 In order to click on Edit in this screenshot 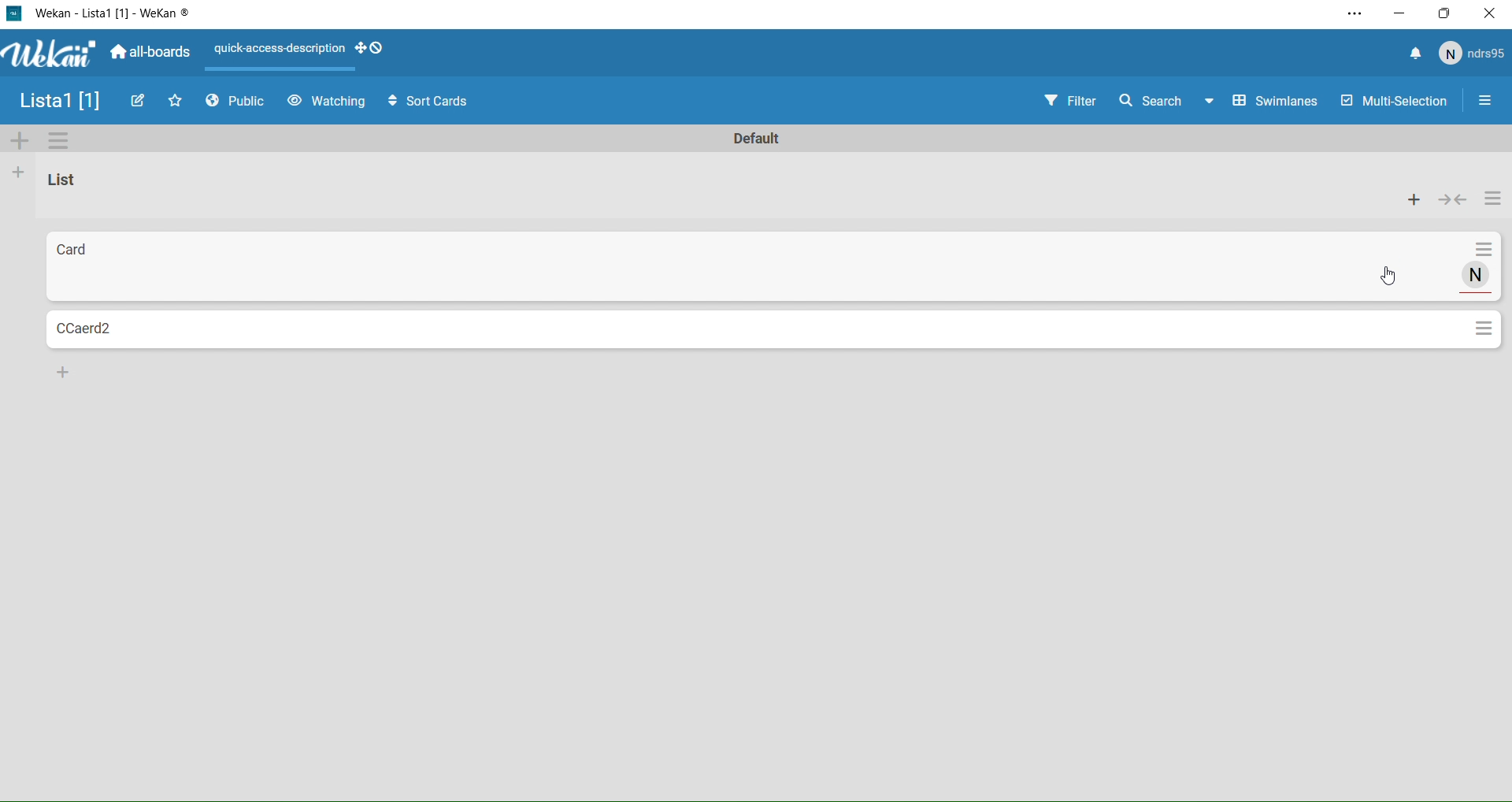, I will do `click(139, 100)`.